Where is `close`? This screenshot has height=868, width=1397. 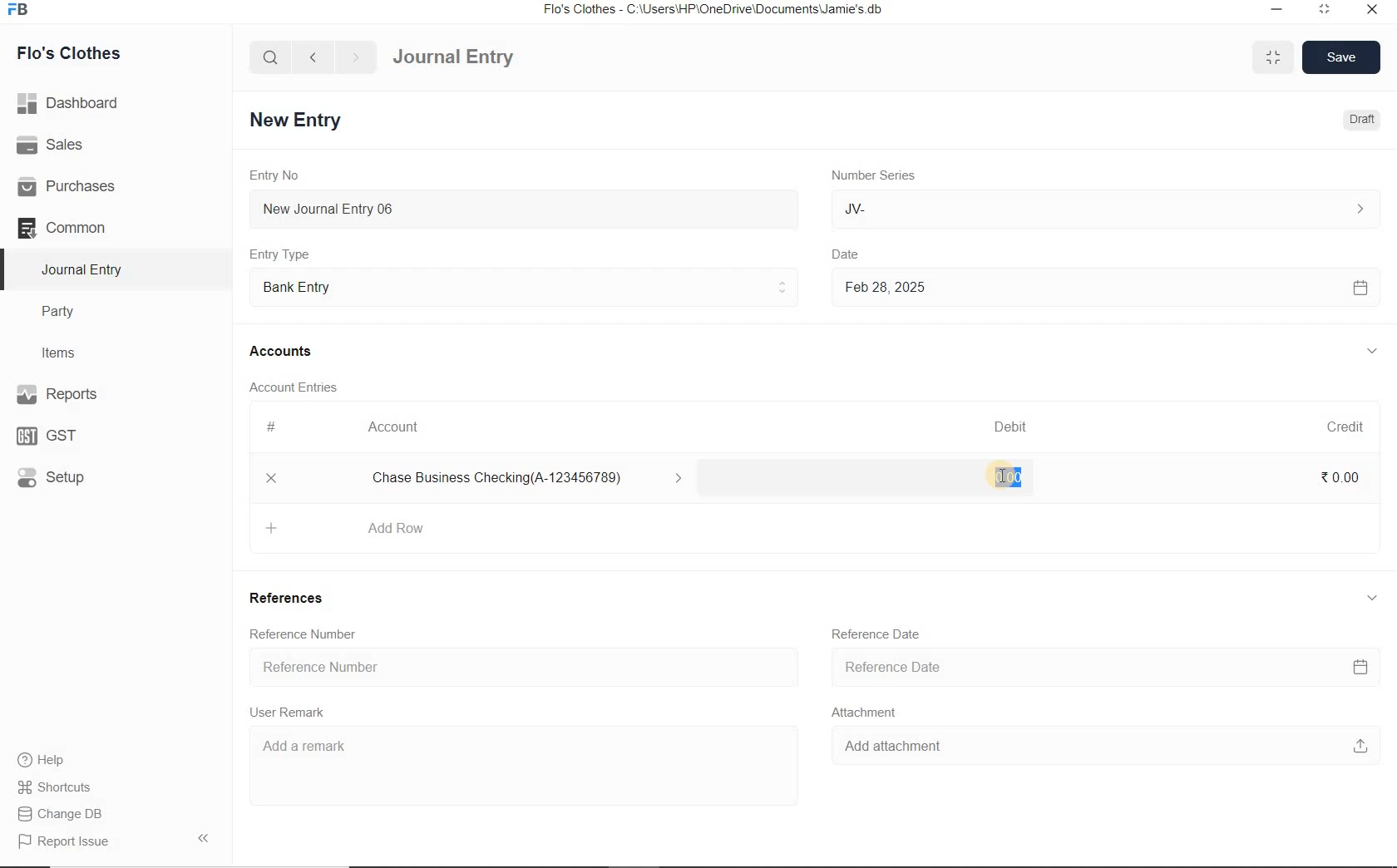 close is located at coordinates (1371, 8).